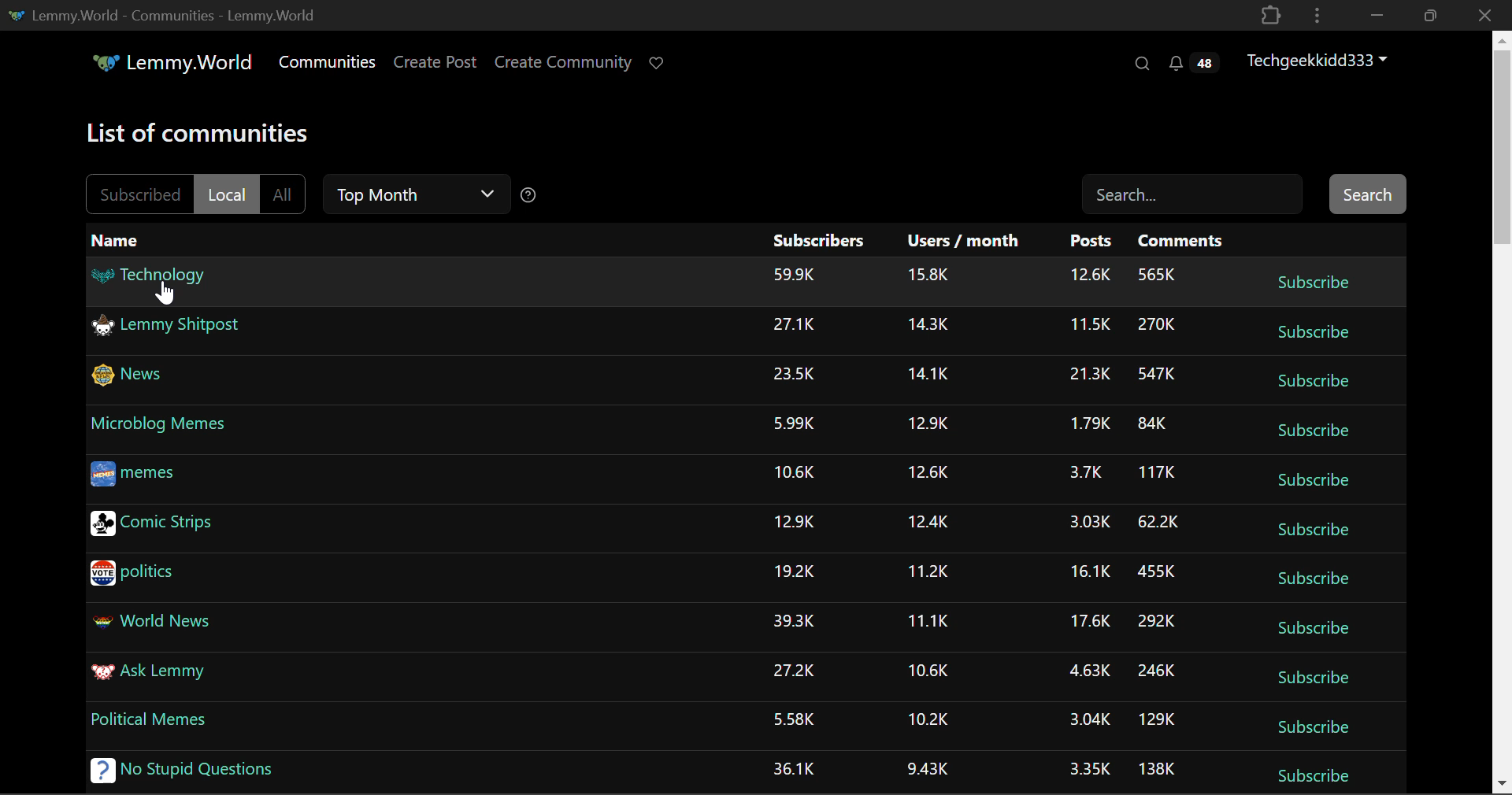 This screenshot has width=1512, height=795. Describe the element at coordinates (1087, 670) in the screenshot. I see `Amount ` at that location.